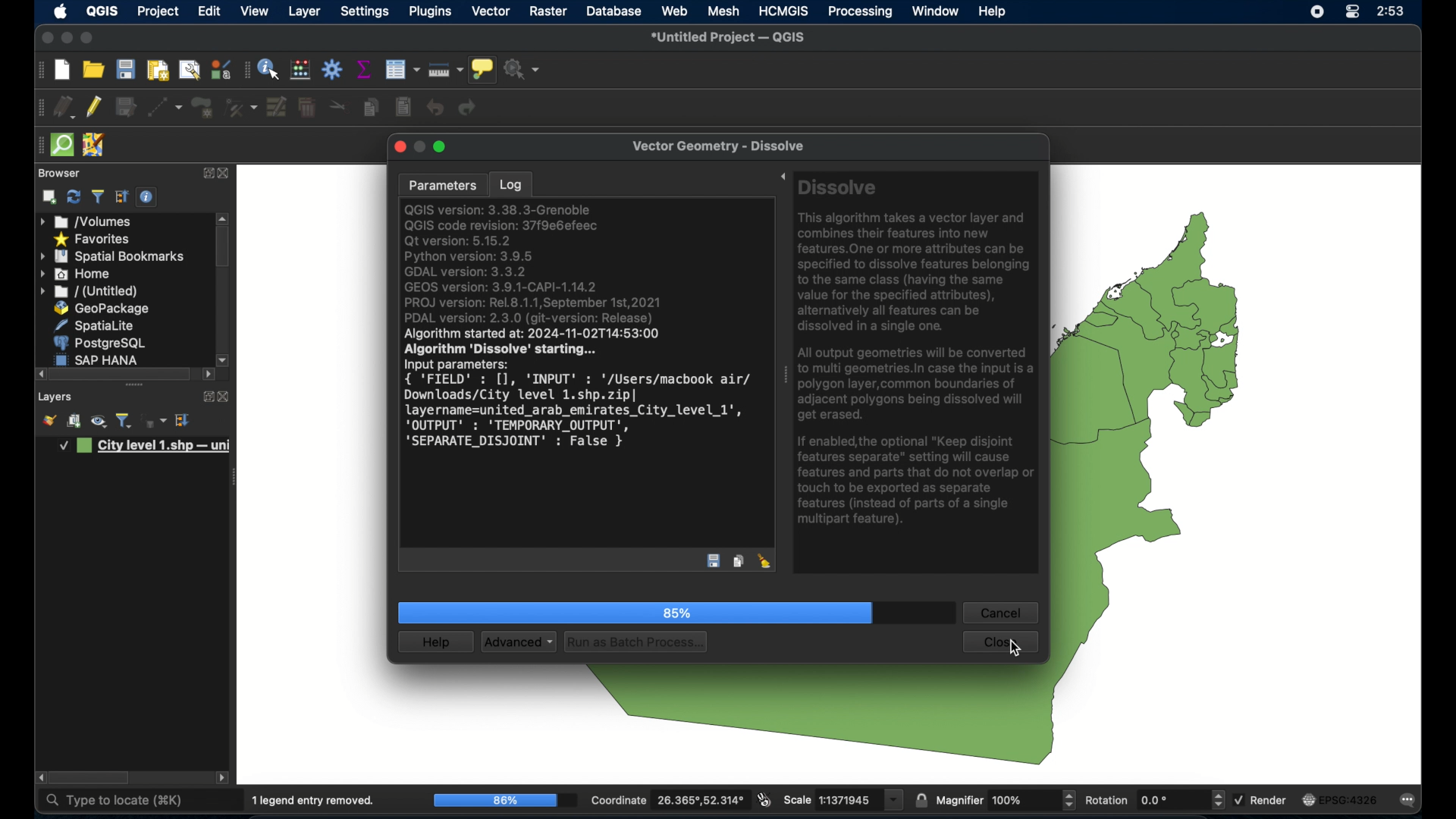  Describe the element at coordinates (224, 217) in the screenshot. I see `scroll up arrow` at that location.